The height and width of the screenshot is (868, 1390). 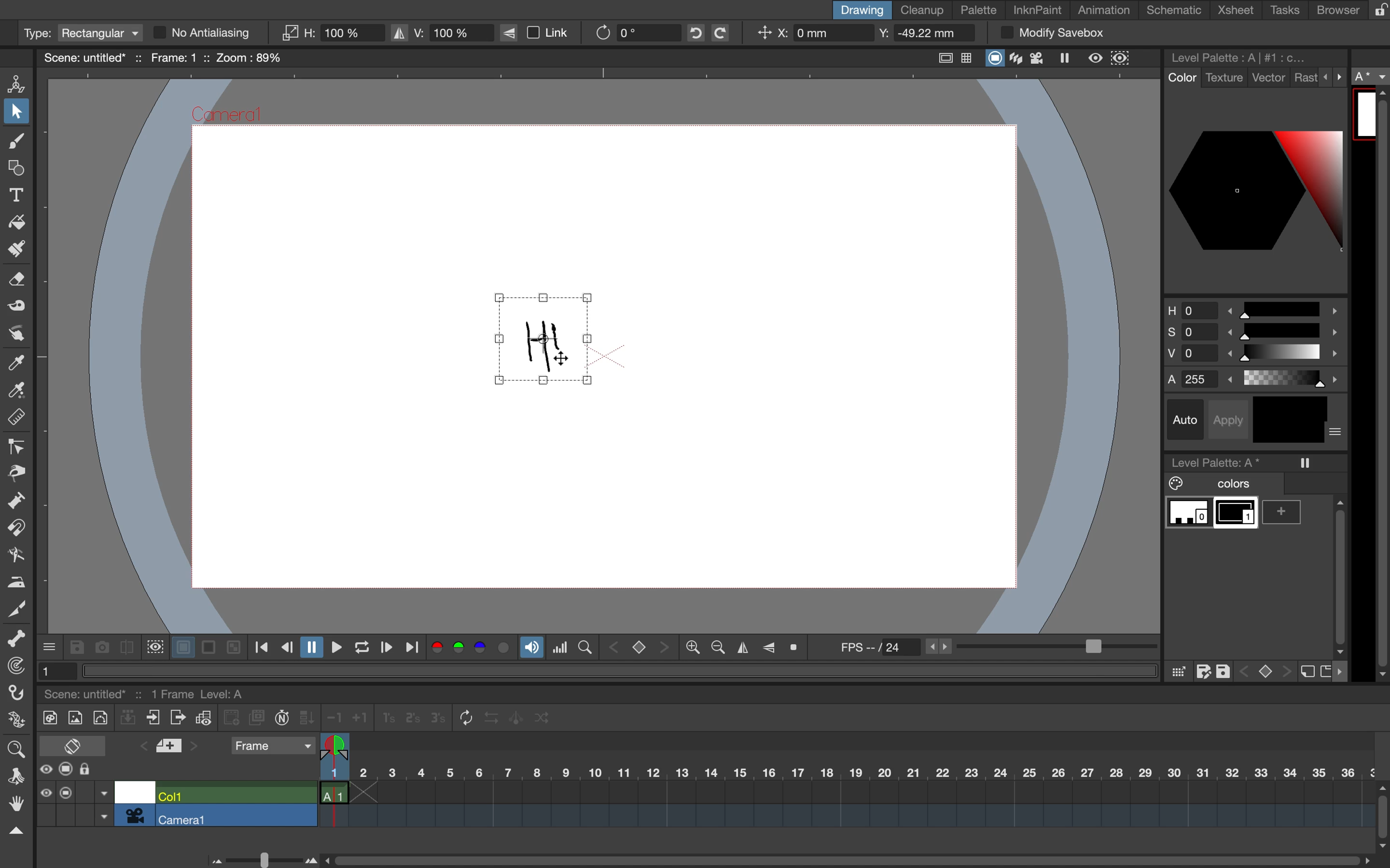 I want to click on cutter tool, so click(x=17, y=607).